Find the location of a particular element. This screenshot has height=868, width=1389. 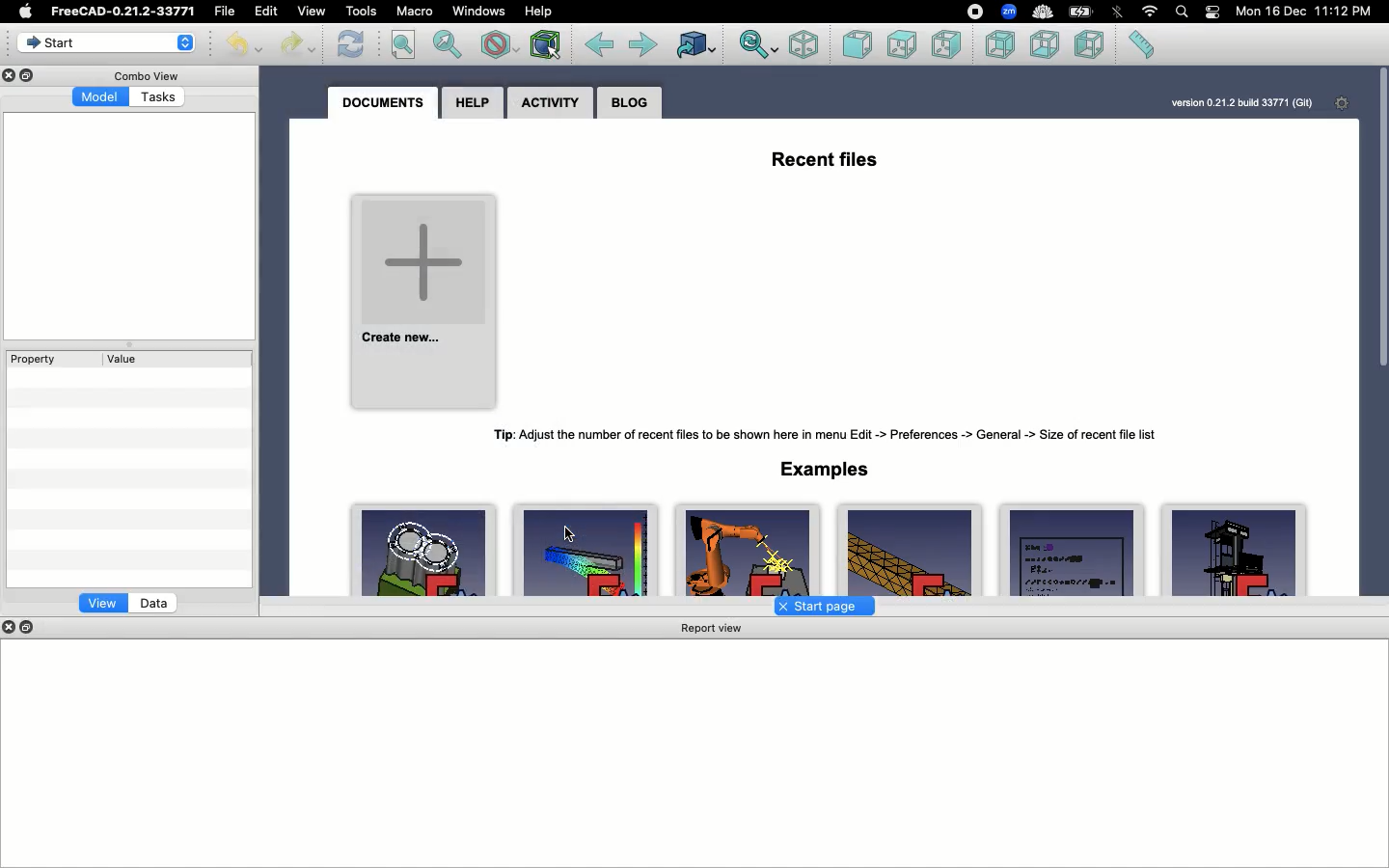

Data is located at coordinates (153, 606).